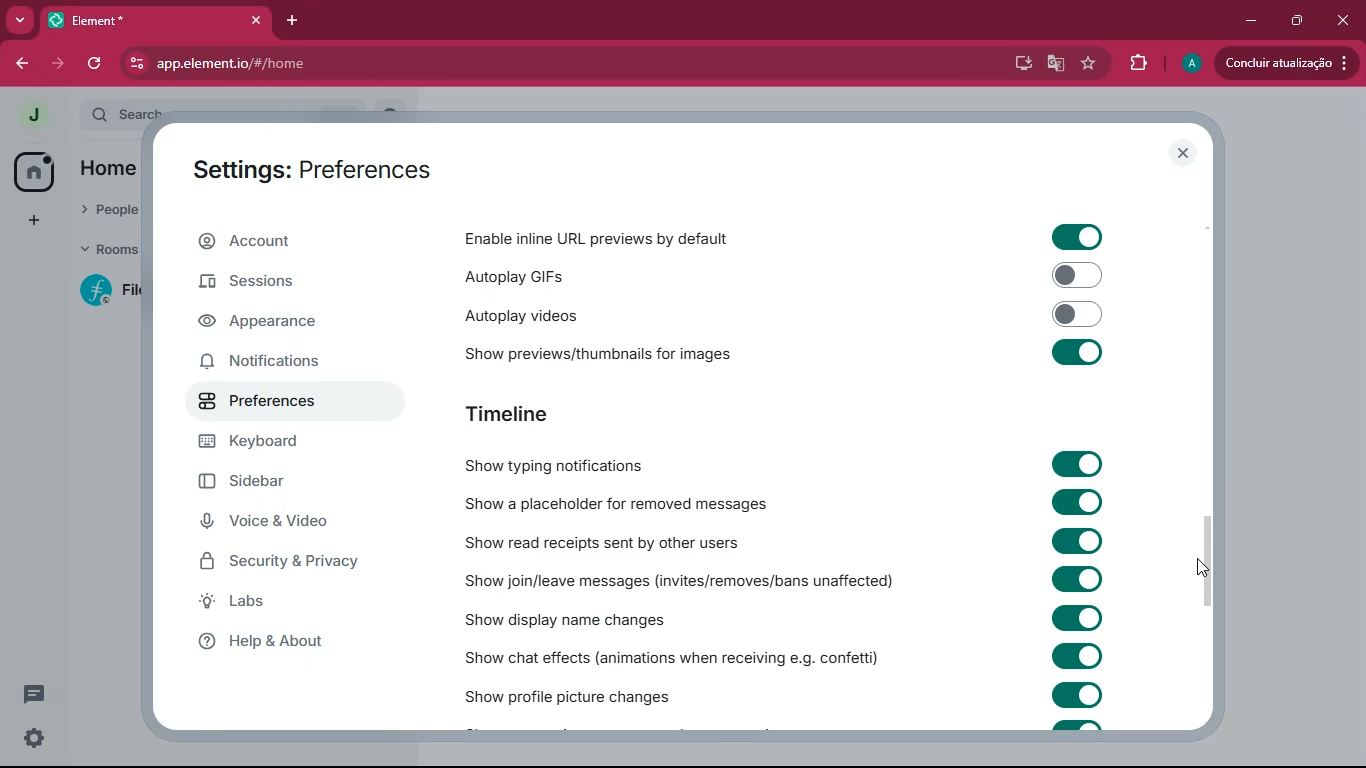 The height and width of the screenshot is (768, 1366). I want to click on notifications, so click(278, 360).